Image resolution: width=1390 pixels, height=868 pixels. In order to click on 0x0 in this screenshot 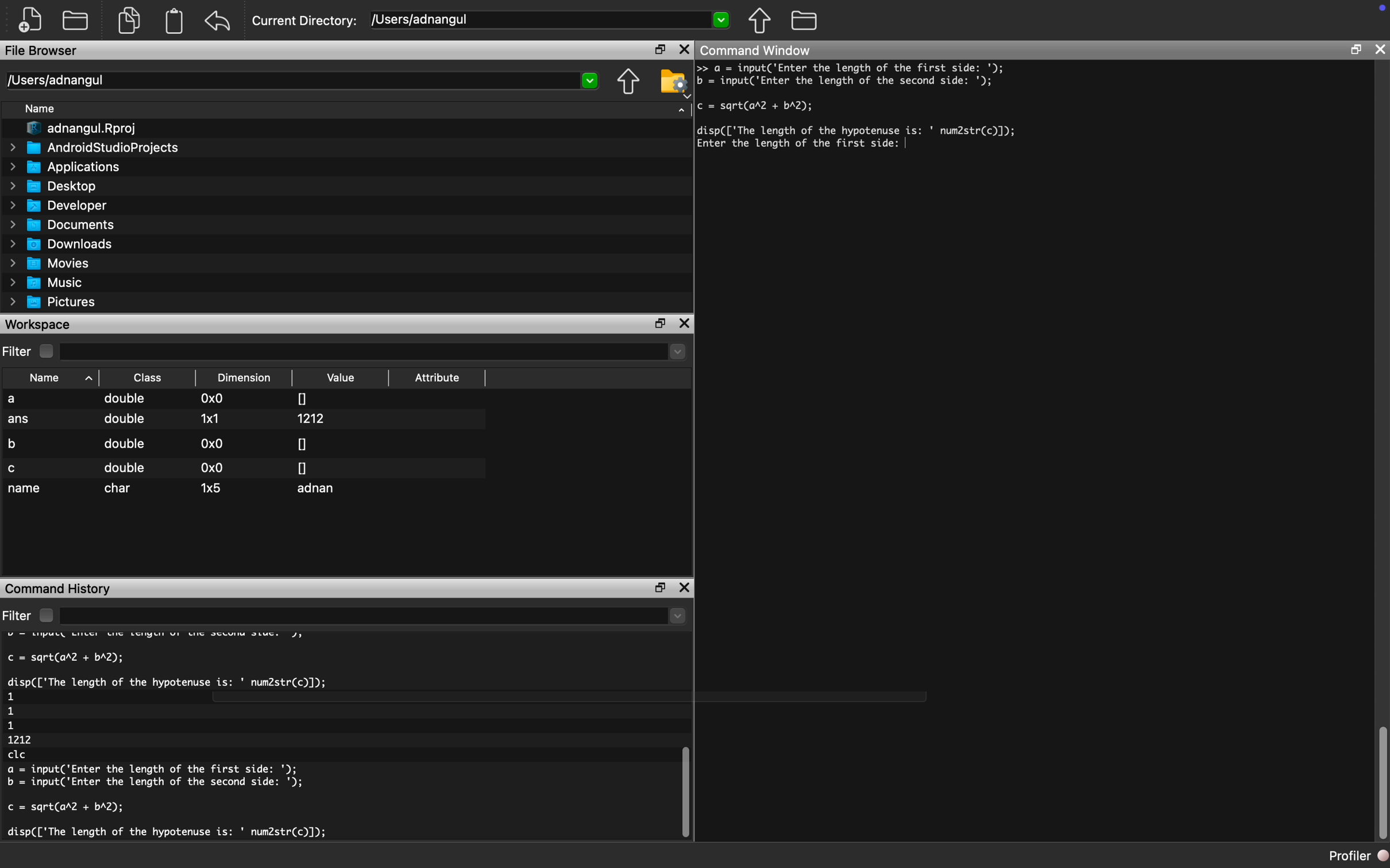, I will do `click(214, 400)`.